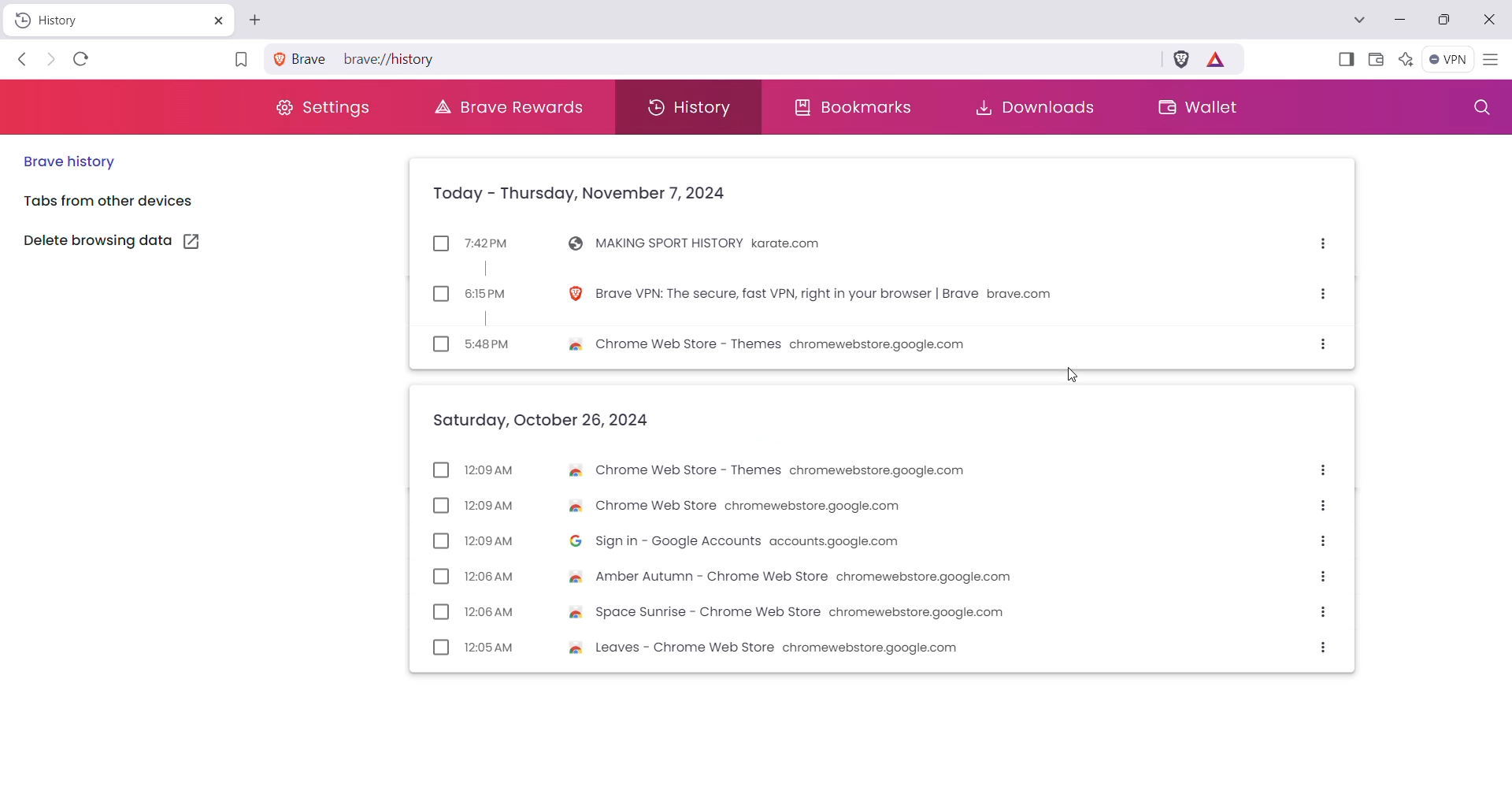  What do you see at coordinates (436, 648) in the screenshot?
I see `checkbox` at bounding box center [436, 648].